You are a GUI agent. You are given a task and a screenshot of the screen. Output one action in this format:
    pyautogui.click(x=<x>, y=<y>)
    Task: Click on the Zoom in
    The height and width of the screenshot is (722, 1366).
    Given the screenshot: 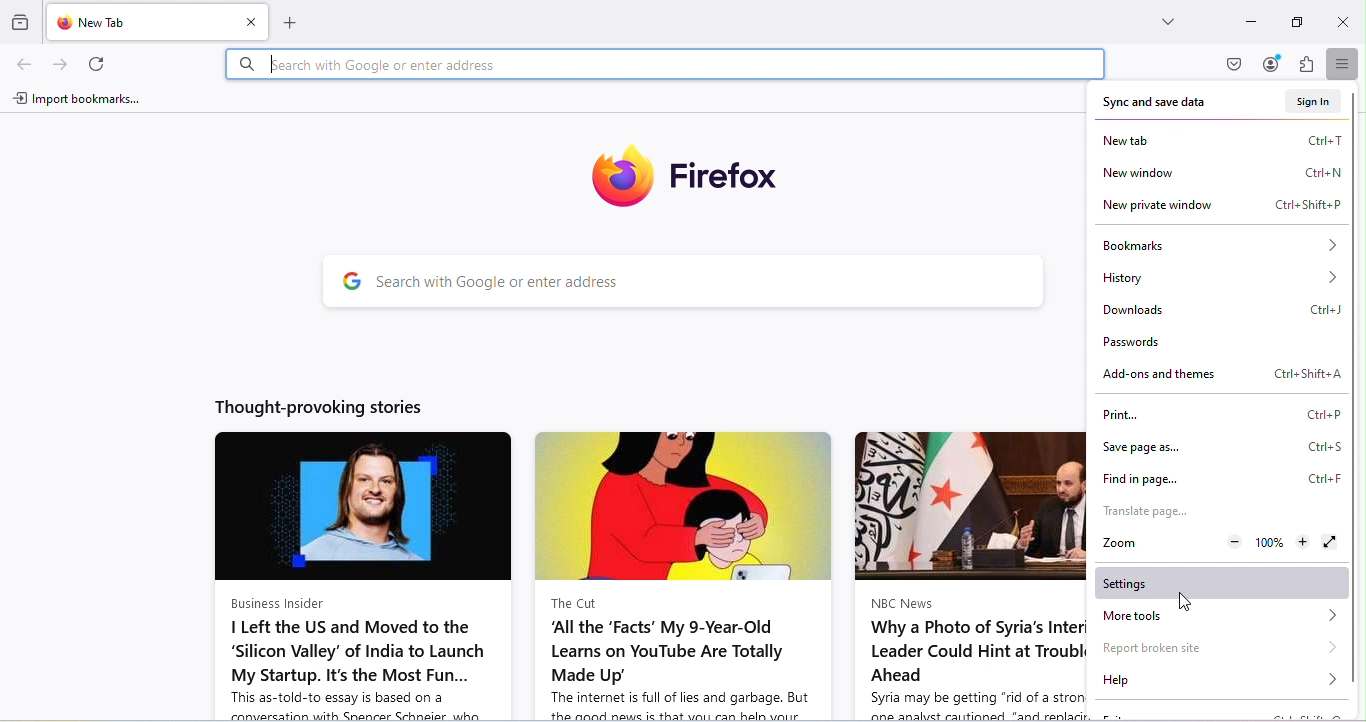 What is the action you would take?
    pyautogui.click(x=1302, y=543)
    